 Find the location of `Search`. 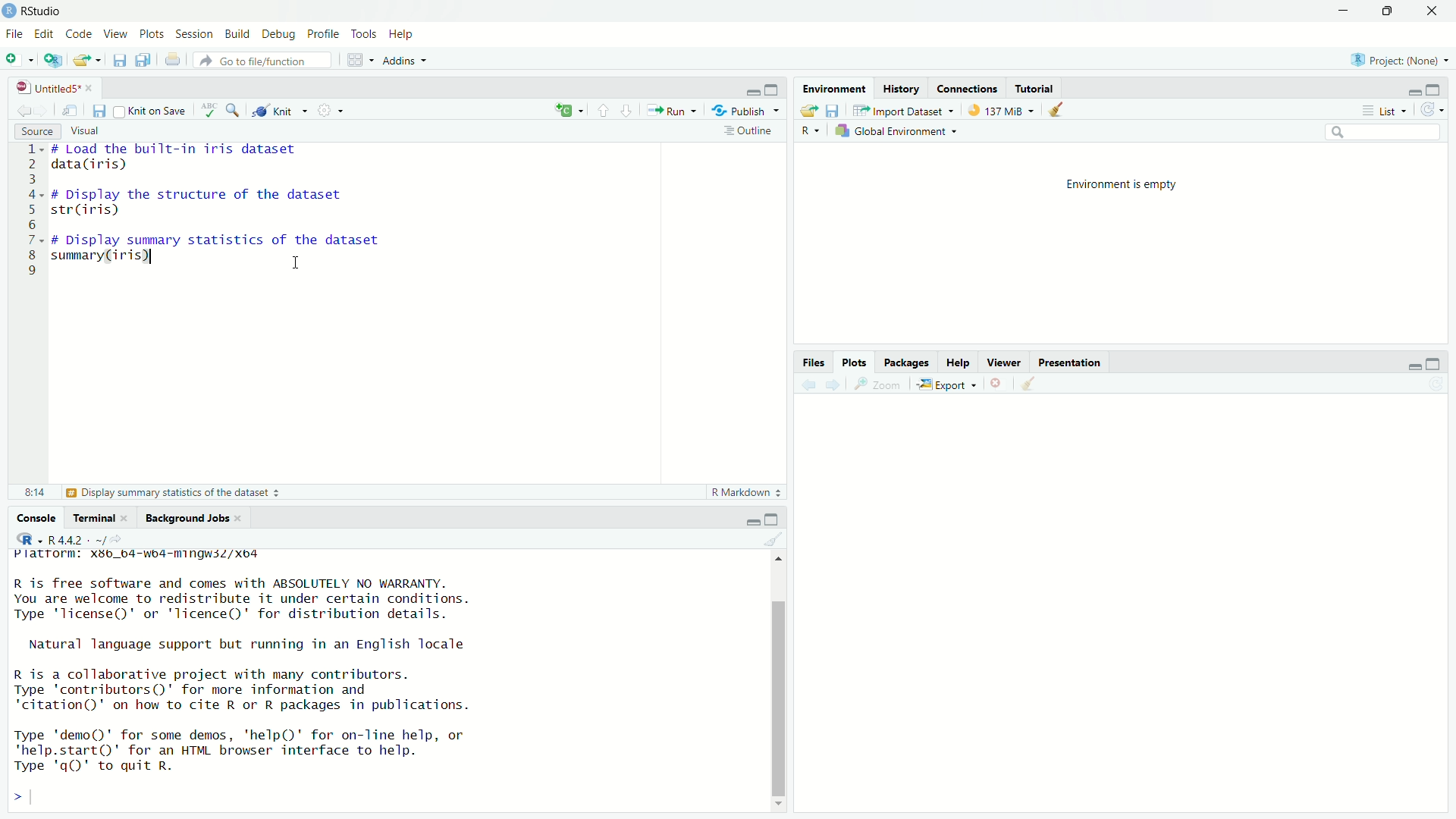

Search is located at coordinates (1384, 131).